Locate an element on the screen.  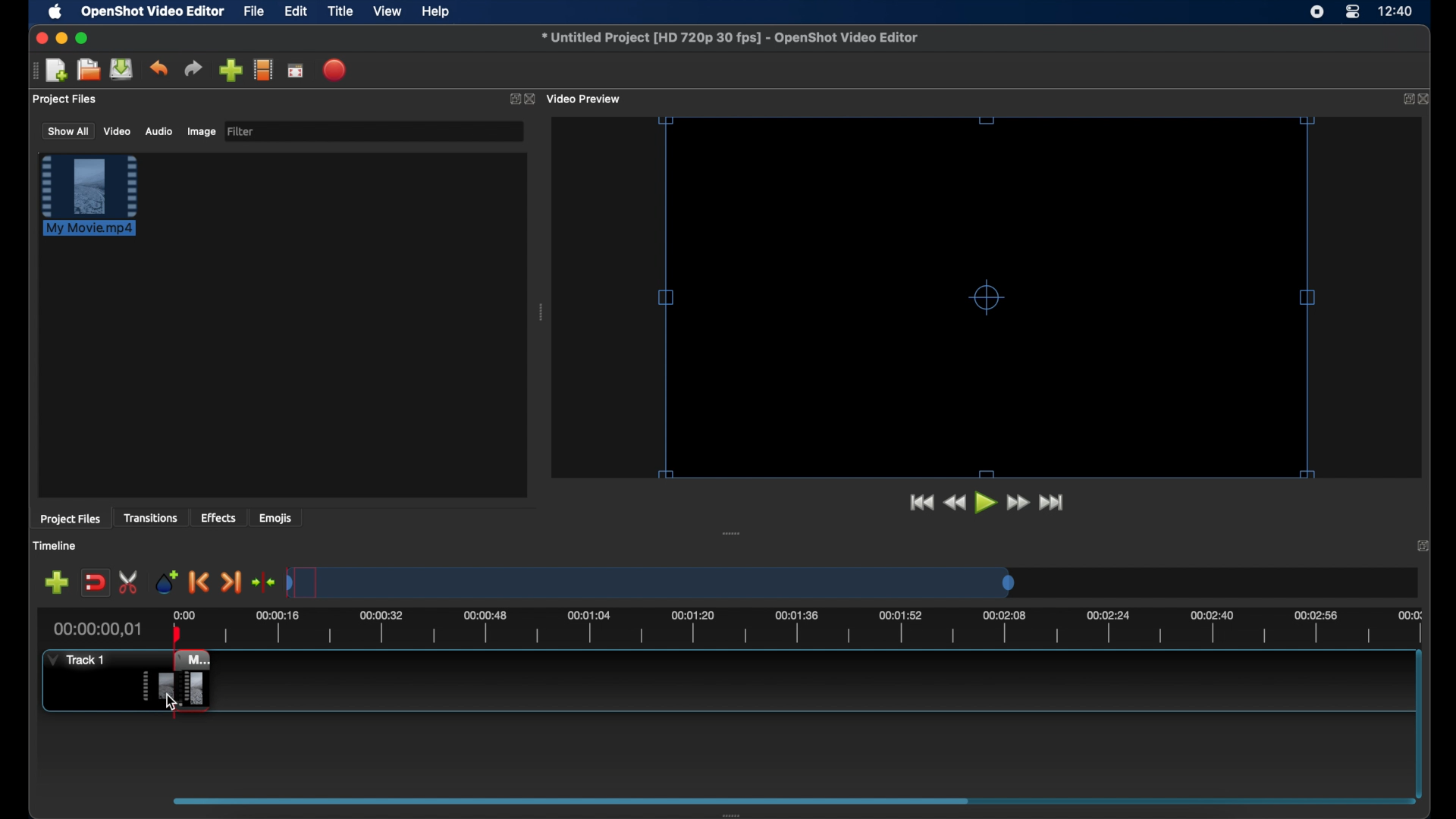
scroll box is located at coordinates (571, 800).